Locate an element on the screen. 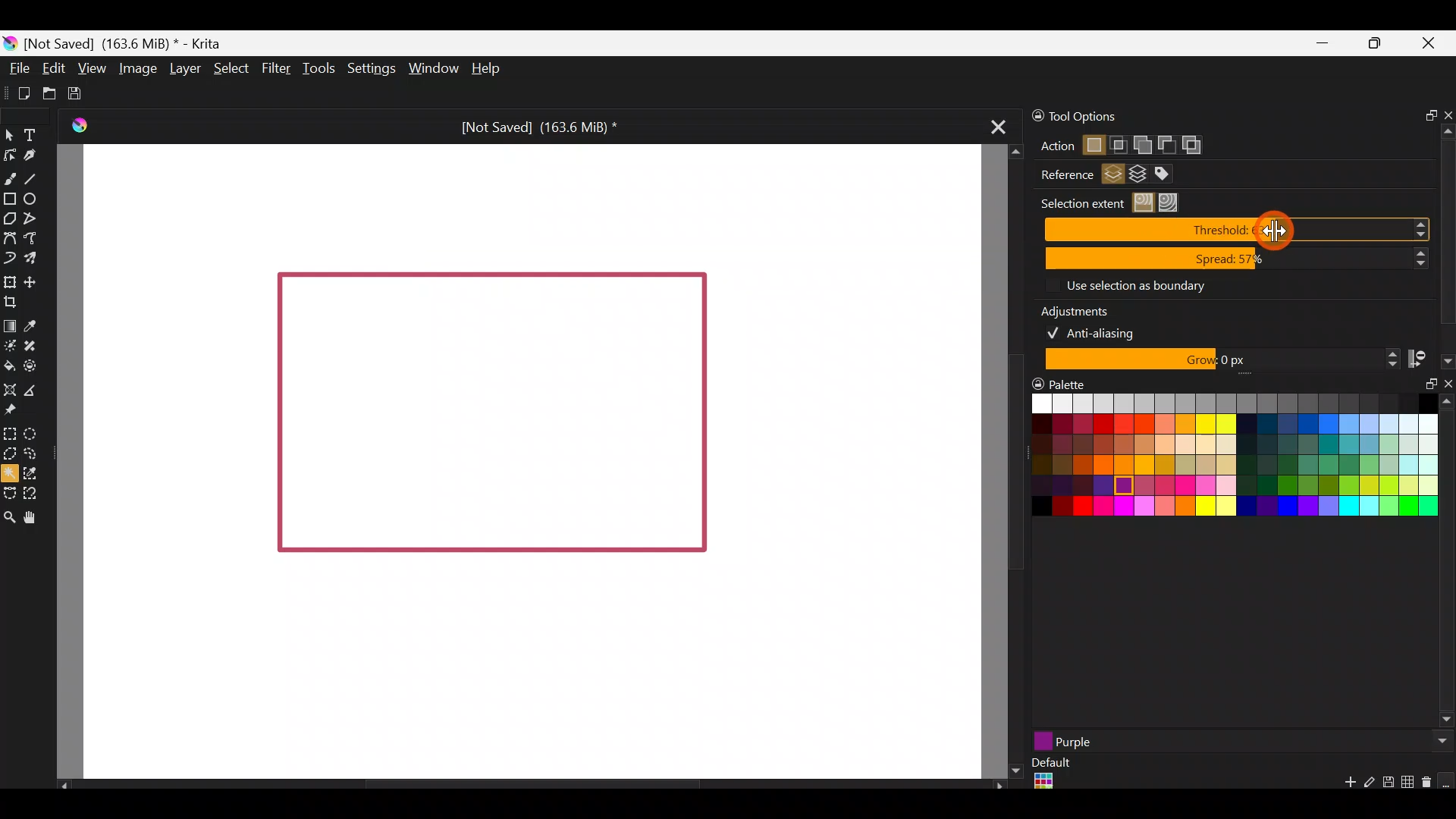  Polygon tool is located at coordinates (10, 218).